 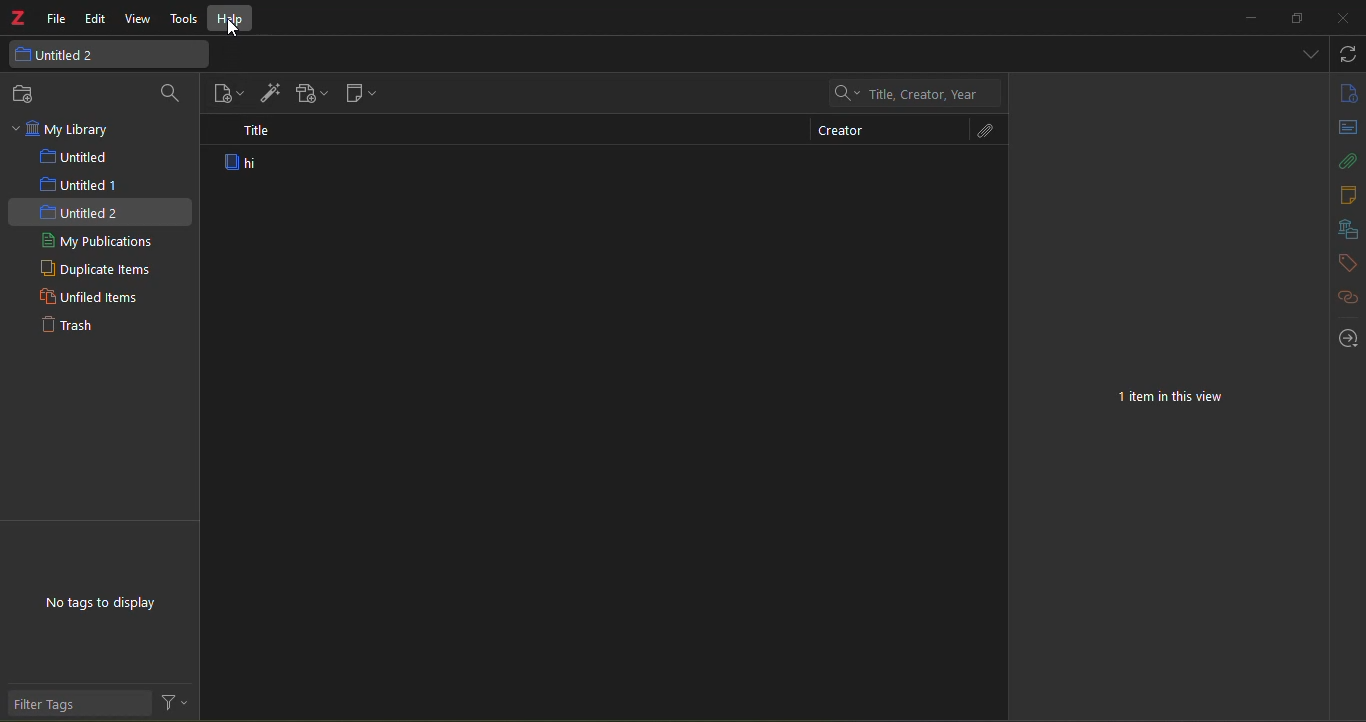 I want to click on help, so click(x=232, y=18).